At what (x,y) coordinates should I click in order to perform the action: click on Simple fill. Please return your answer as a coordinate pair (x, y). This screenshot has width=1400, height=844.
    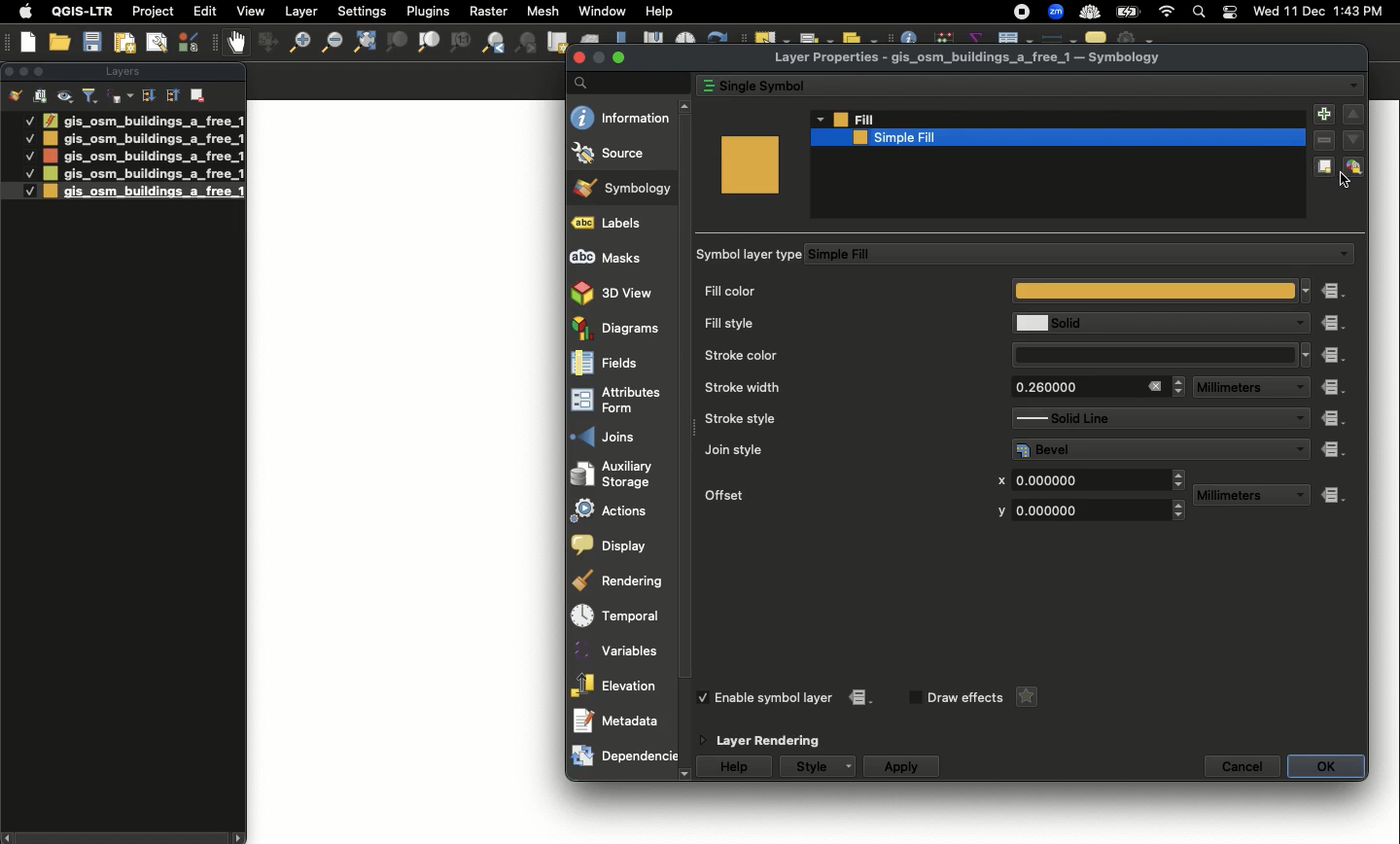
    Looking at the image, I should click on (1044, 138).